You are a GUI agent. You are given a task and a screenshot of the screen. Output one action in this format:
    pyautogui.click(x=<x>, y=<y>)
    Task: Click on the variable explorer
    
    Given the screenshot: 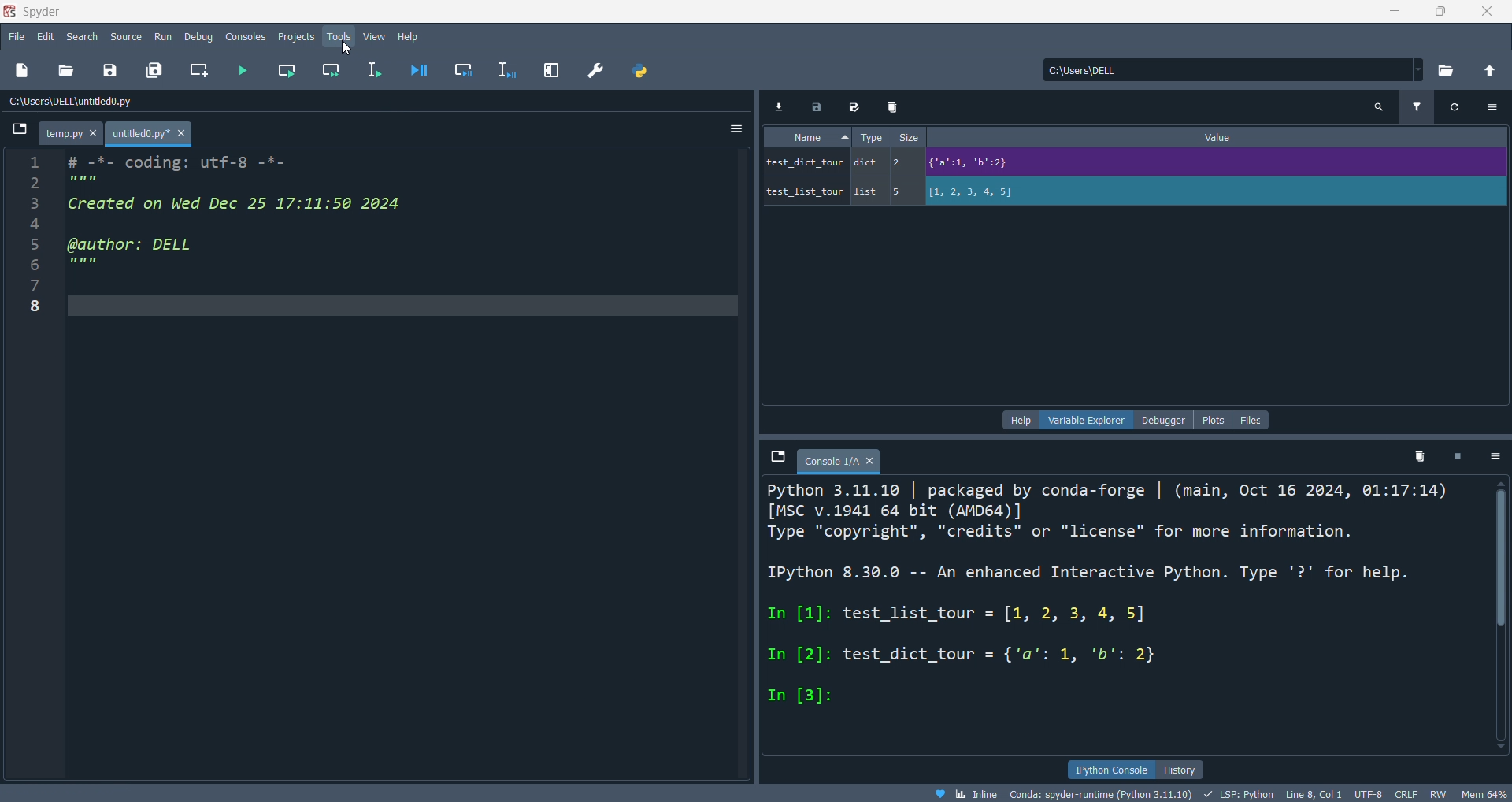 What is the action you would take?
    pyautogui.click(x=1086, y=419)
    